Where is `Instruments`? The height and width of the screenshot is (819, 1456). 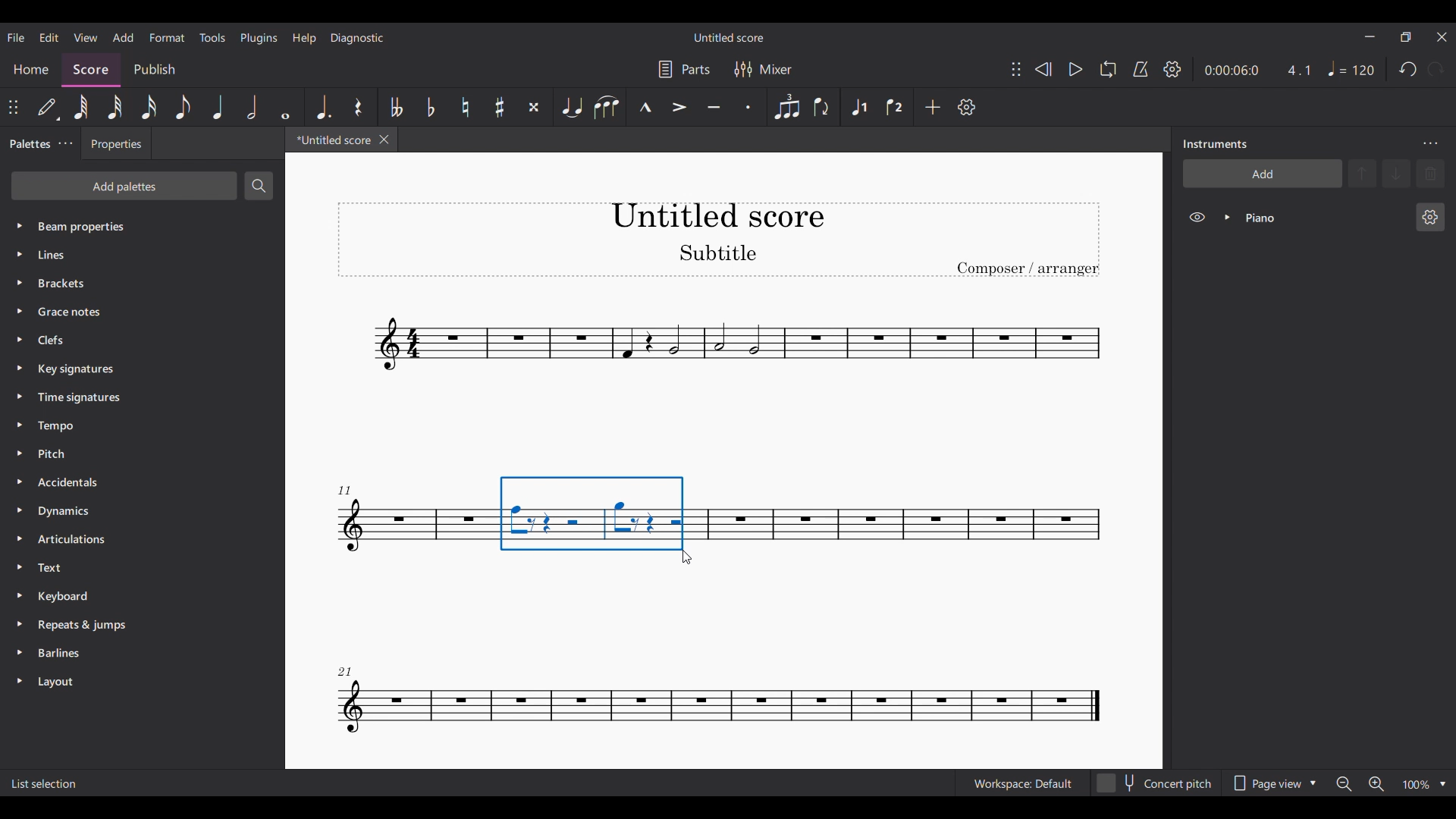
Instruments is located at coordinates (1215, 144).